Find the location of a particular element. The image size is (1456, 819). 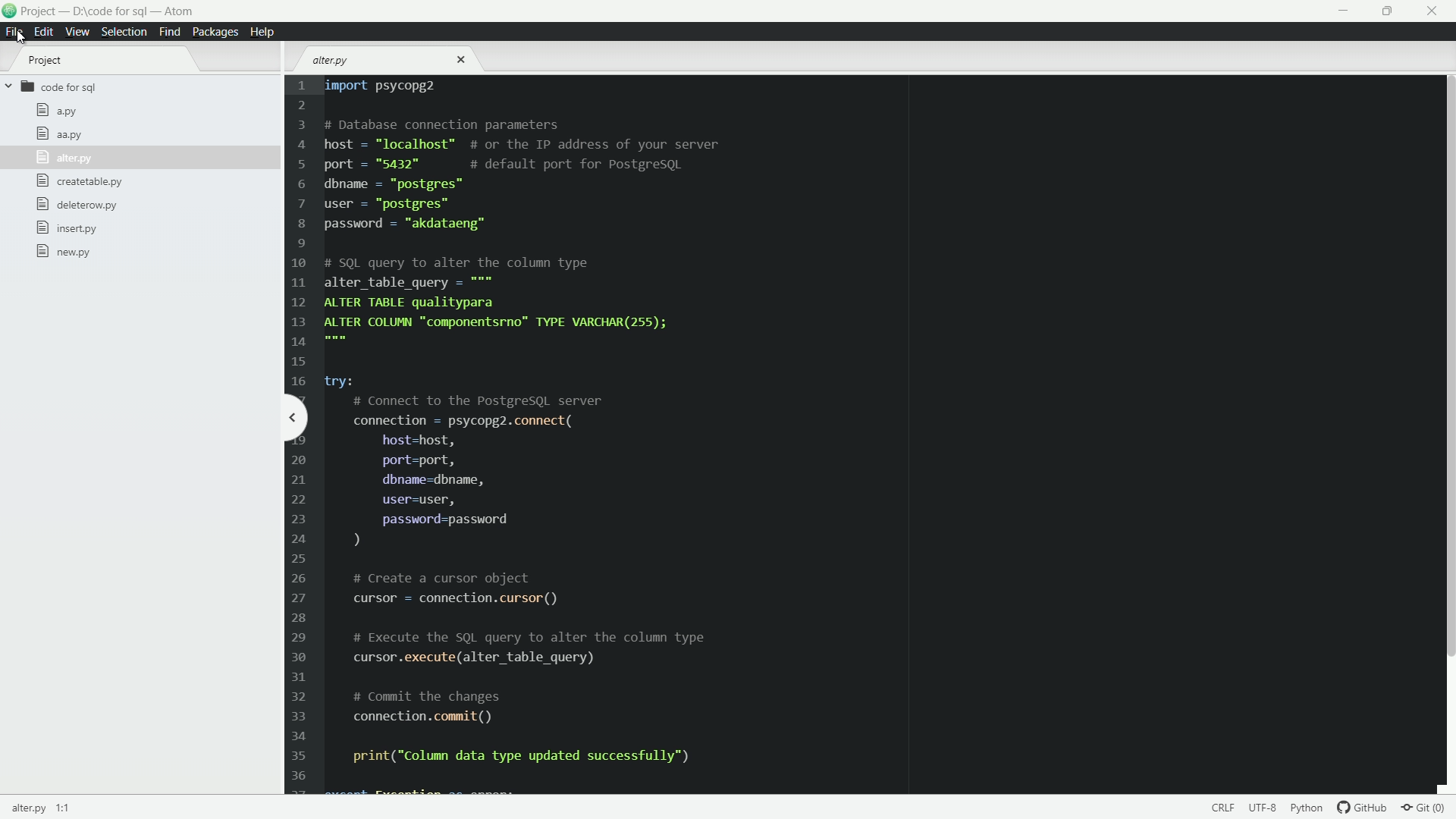

insert.py file is located at coordinates (68, 227).